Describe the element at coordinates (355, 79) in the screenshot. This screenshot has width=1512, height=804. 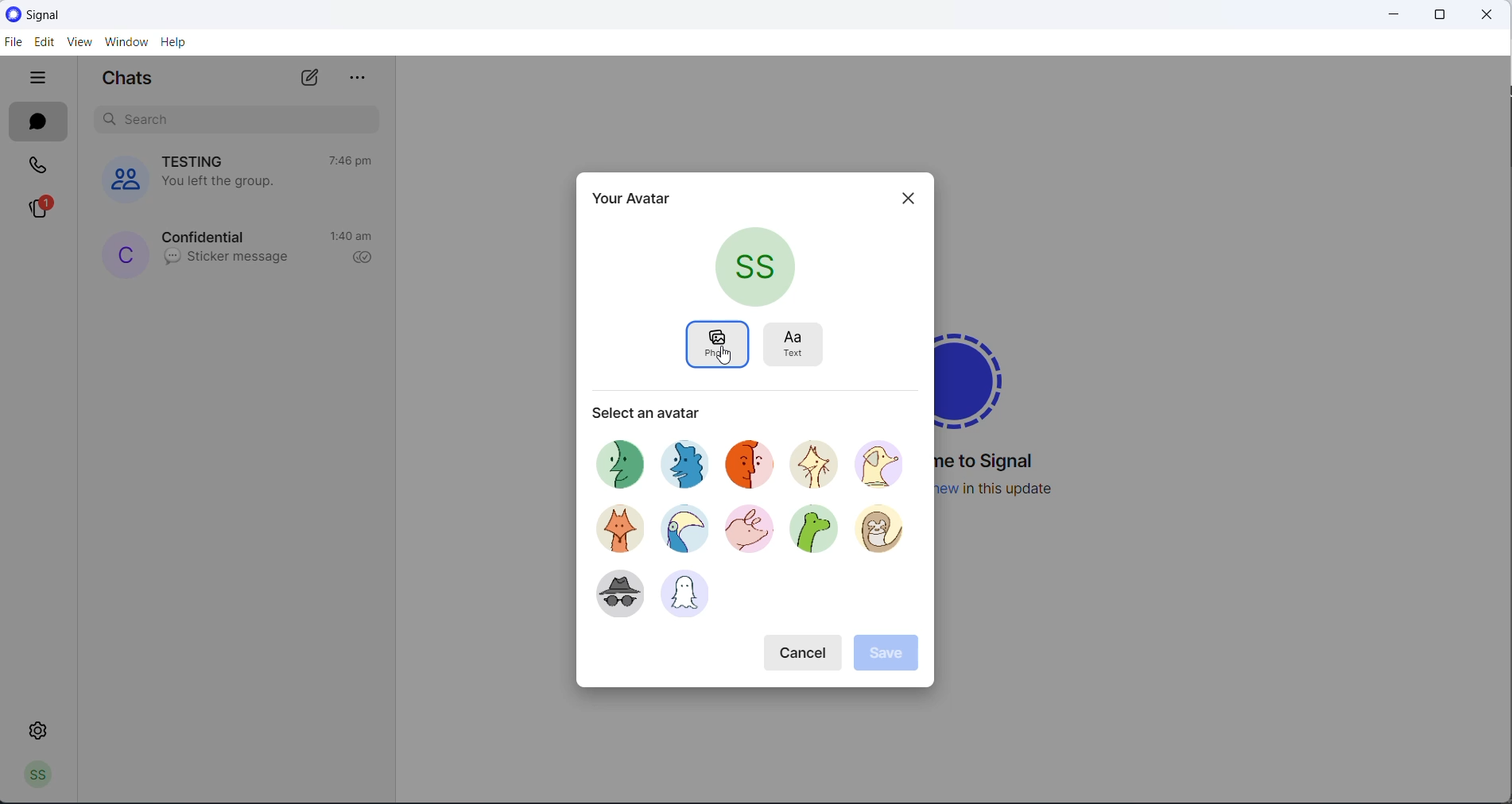
I see `more options` at that location.